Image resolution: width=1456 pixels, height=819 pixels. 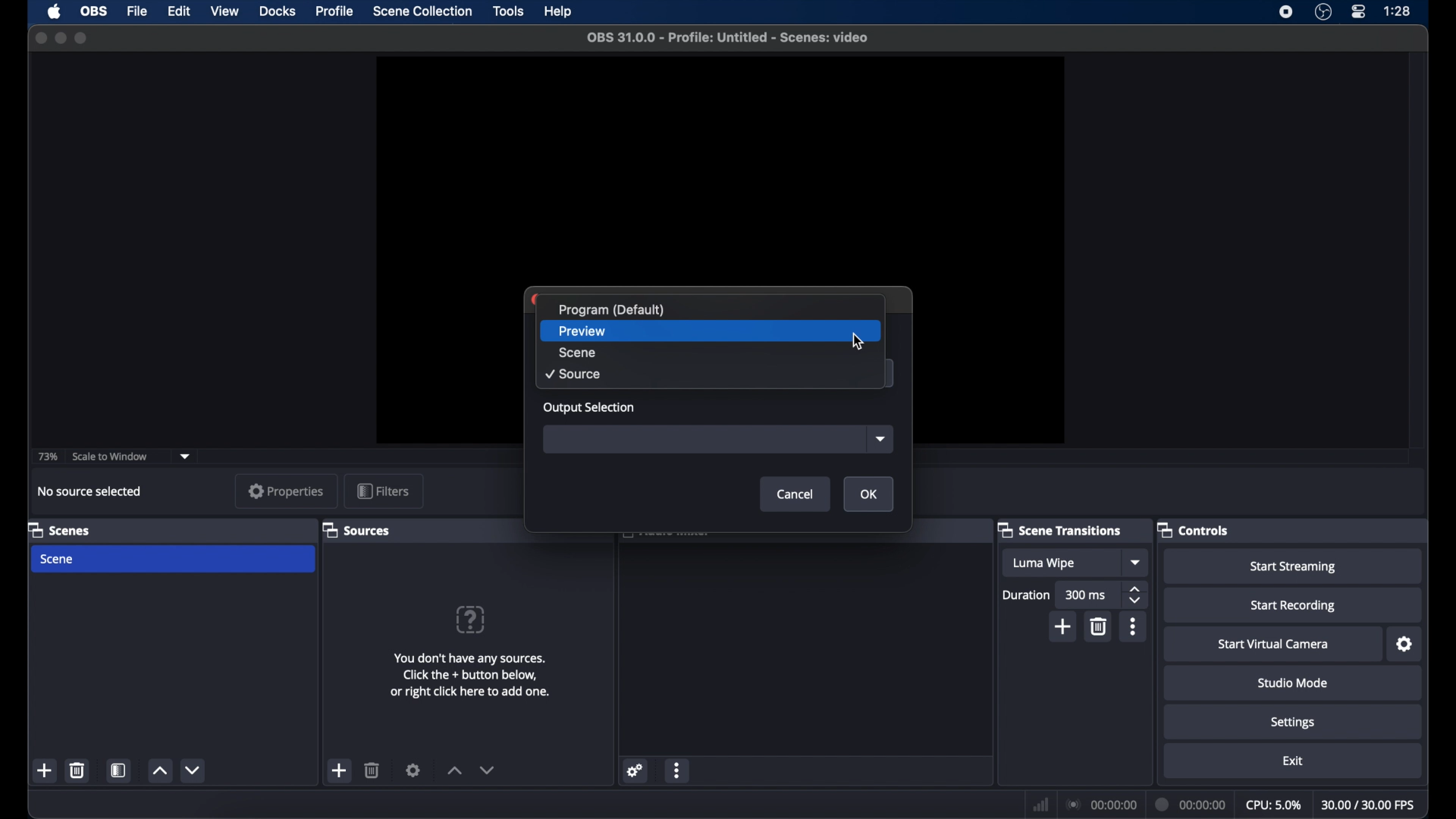 I want to click on duration, so click(x=1191, y=805).